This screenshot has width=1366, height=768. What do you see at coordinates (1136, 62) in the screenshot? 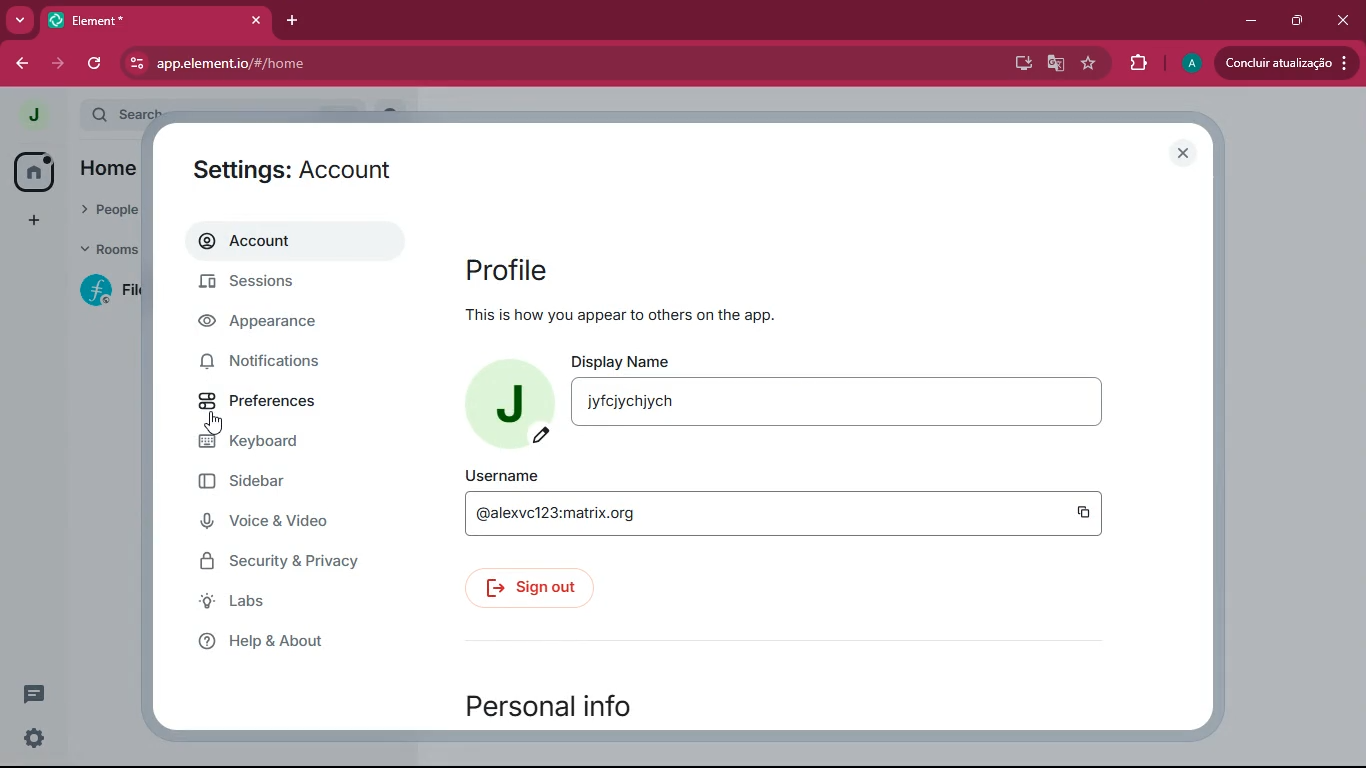
I see `extensions` at bounding box center [1136, 62].